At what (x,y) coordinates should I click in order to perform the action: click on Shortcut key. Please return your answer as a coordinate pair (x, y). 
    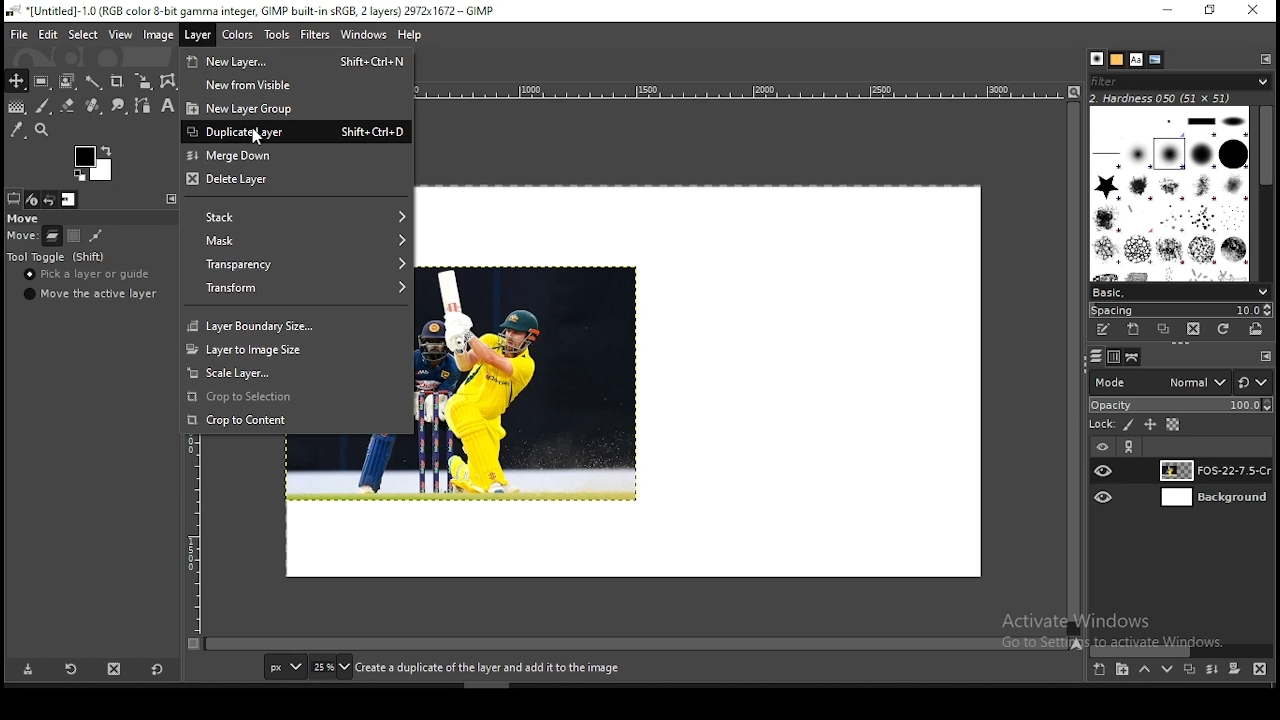
    Looking at the image, I should click on (367, 131).